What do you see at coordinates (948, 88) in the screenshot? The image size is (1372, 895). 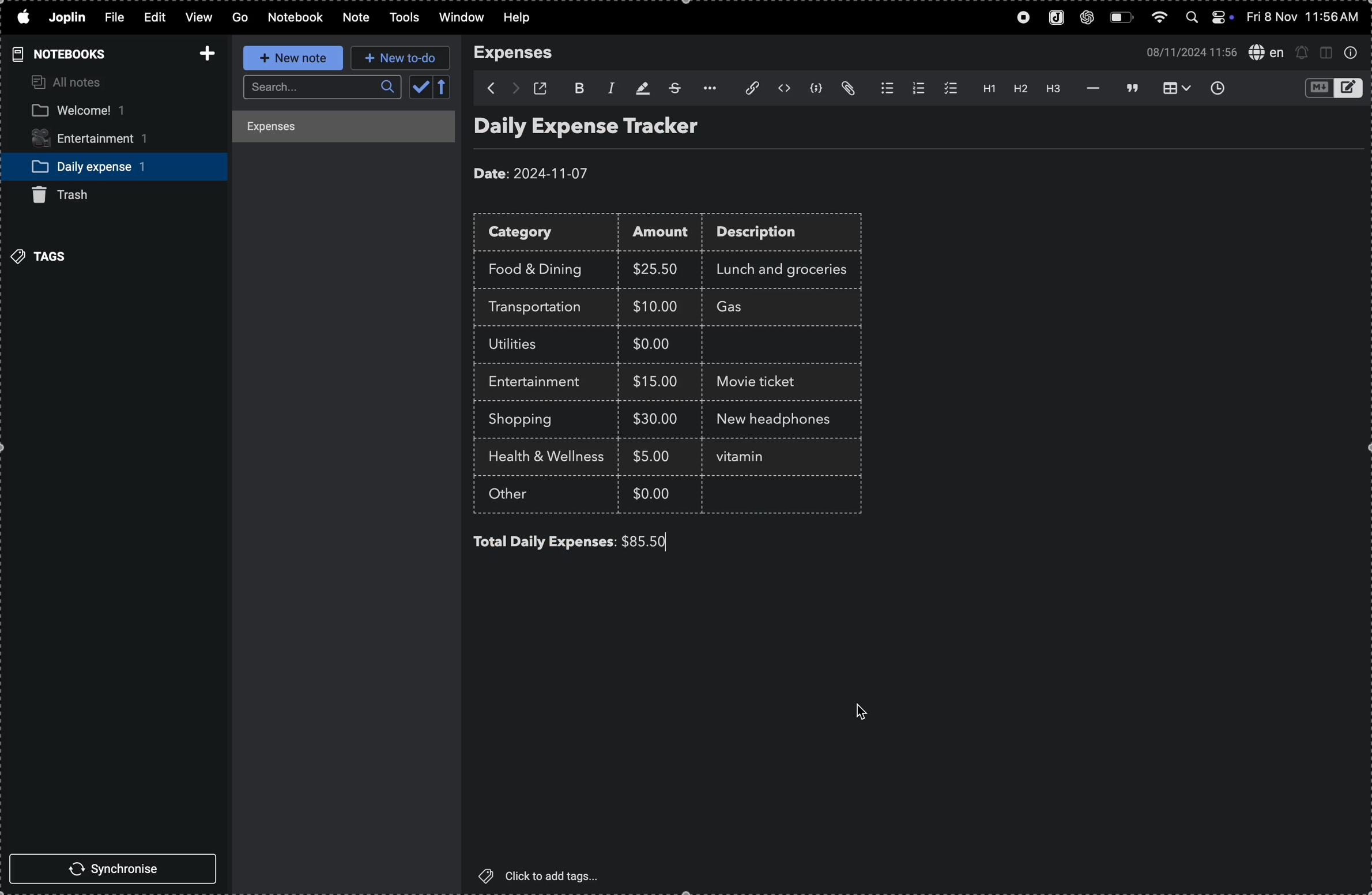 I see `checklist` at bounding box center [948, 88].